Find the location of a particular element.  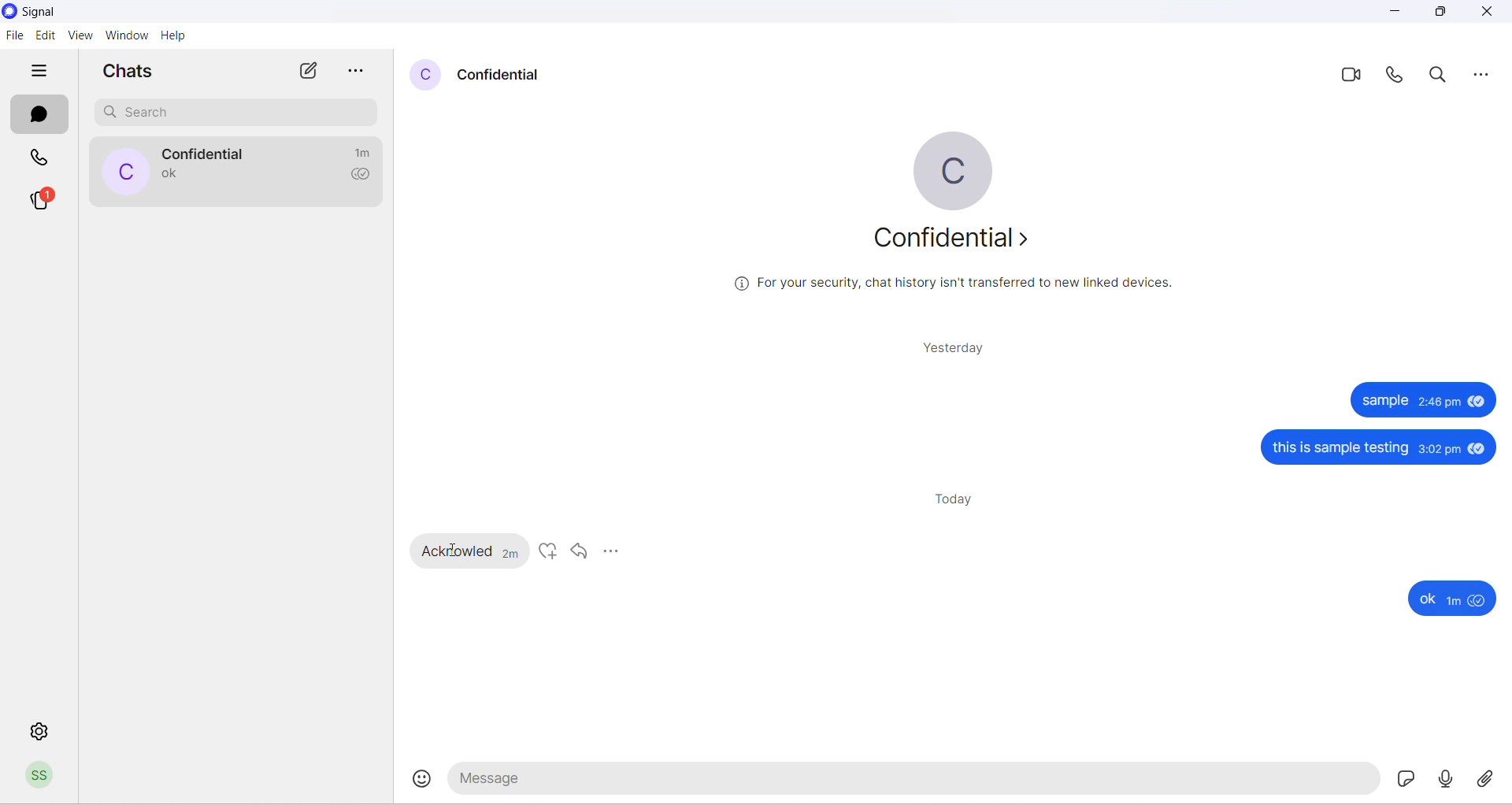

stories is located at coordinates (43, 202).